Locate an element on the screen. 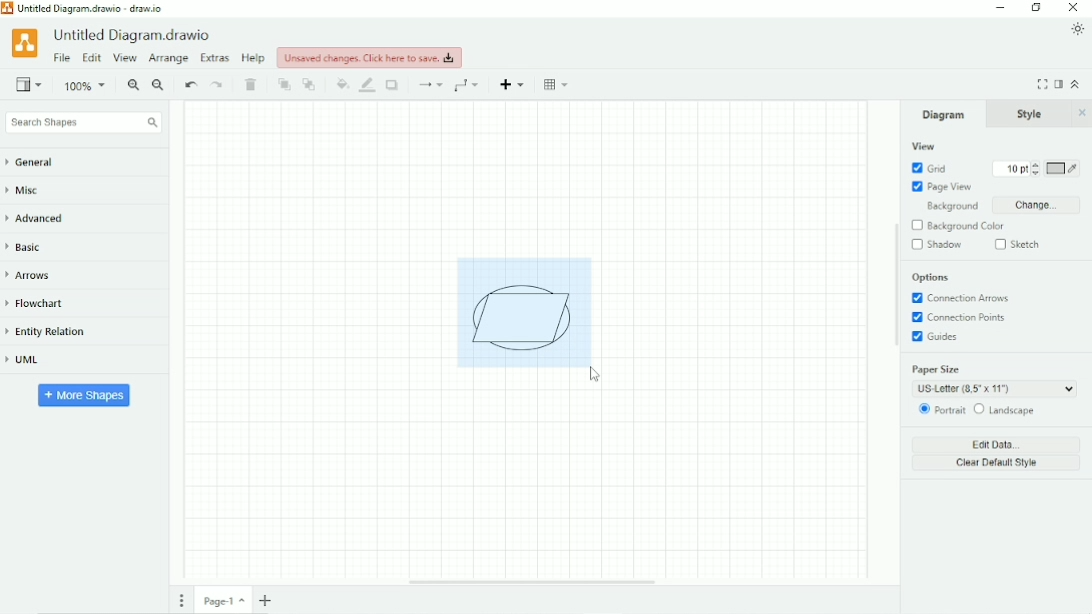  Fullscreen is located at coordinates (1042, 84).